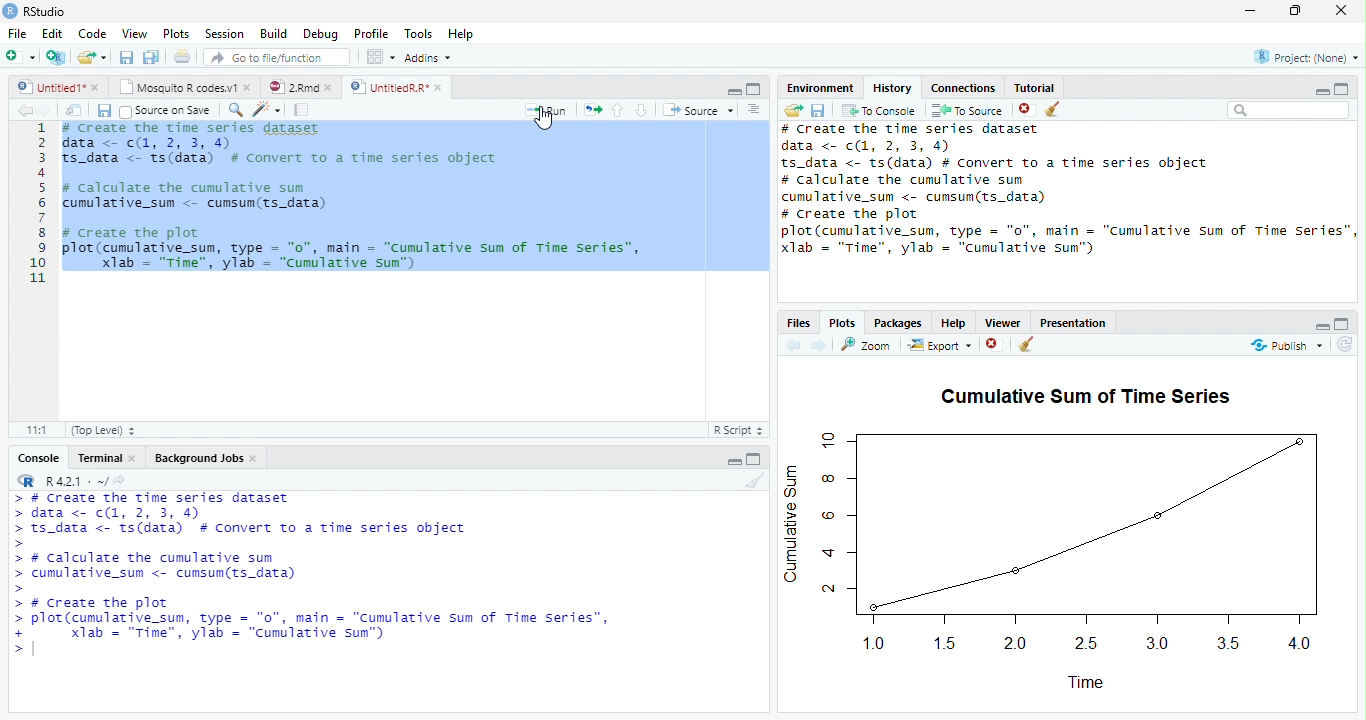 The width and height of the screenshot is (1366, 720). What do you see at coordinates (992, 344) in the screenshot?
I see `Delete` at bounding box center [992, 344].